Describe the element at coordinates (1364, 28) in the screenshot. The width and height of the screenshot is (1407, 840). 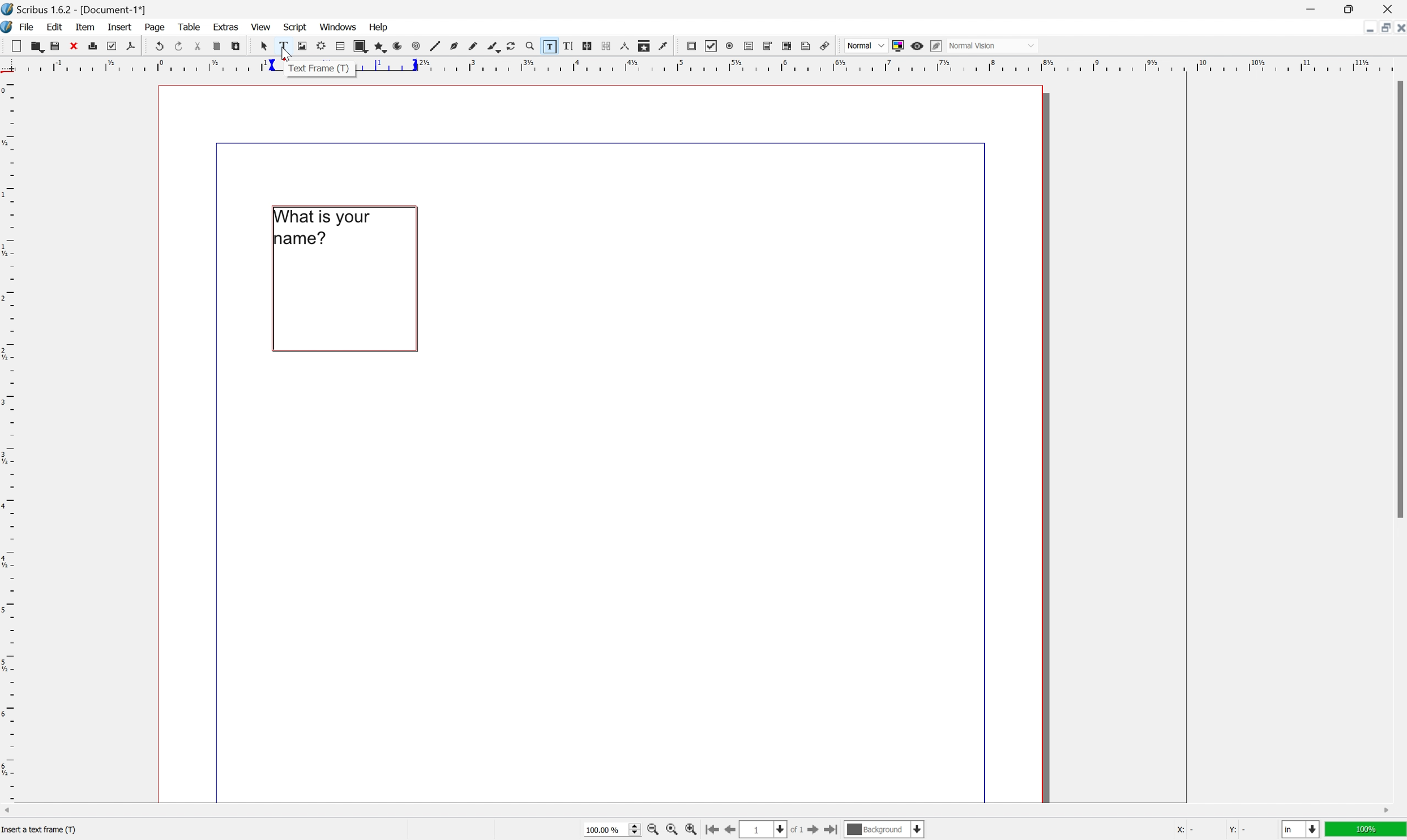
I see `minimize` at that location.